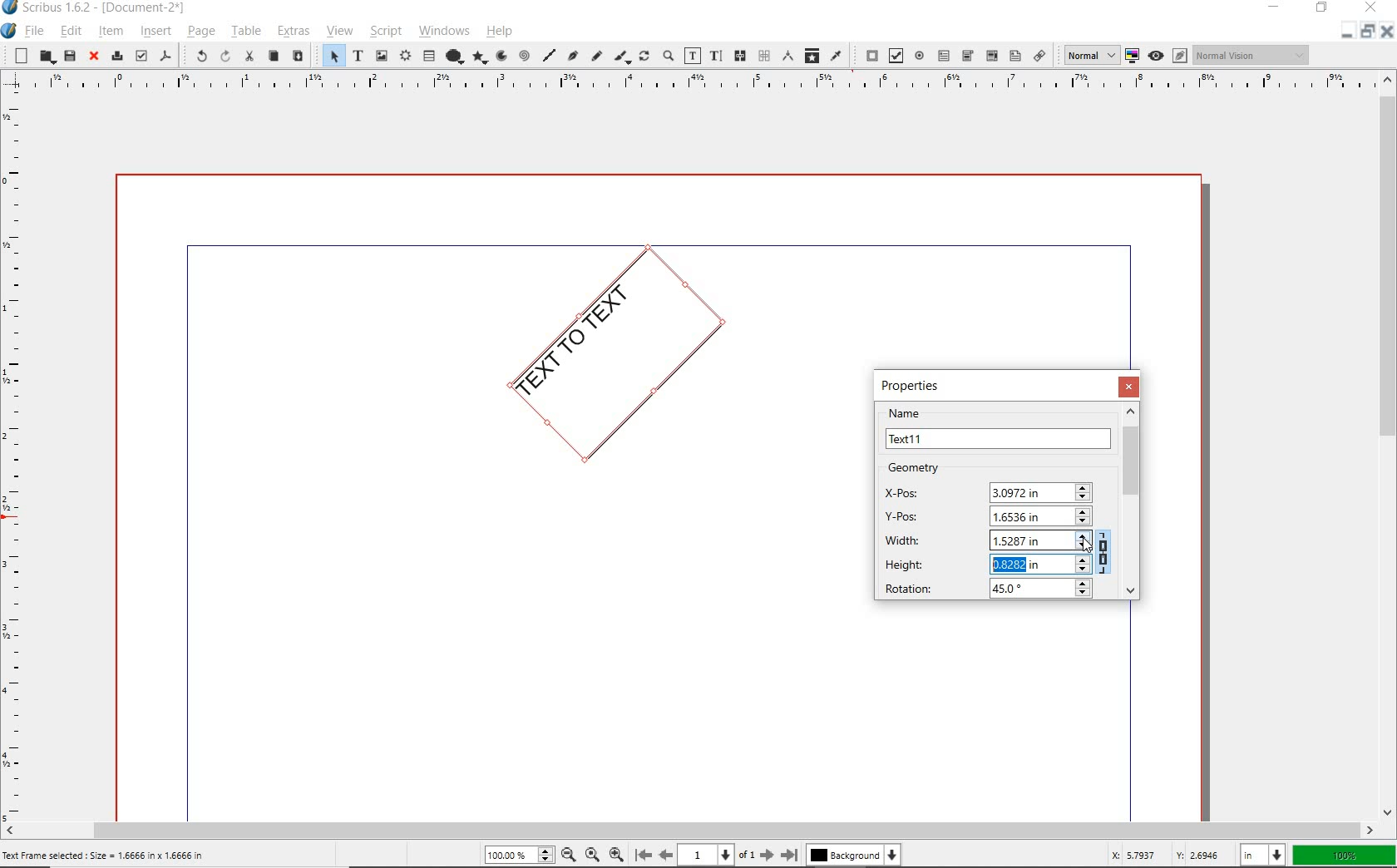 This screenshot has width=1397, height=868. Describe the element at coordinates (927, 468) in the screenshot. I see `GEOMETRY` at that location.